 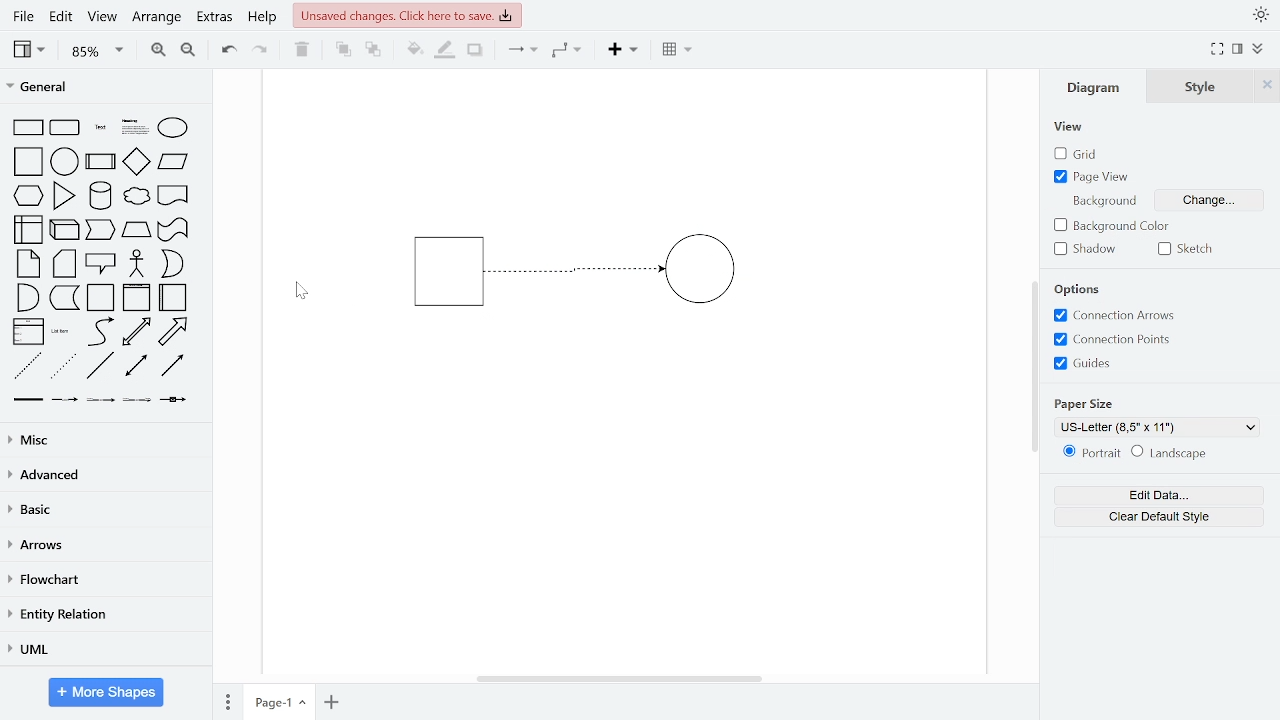 I want to click on options, so click(x=1080, y=290).